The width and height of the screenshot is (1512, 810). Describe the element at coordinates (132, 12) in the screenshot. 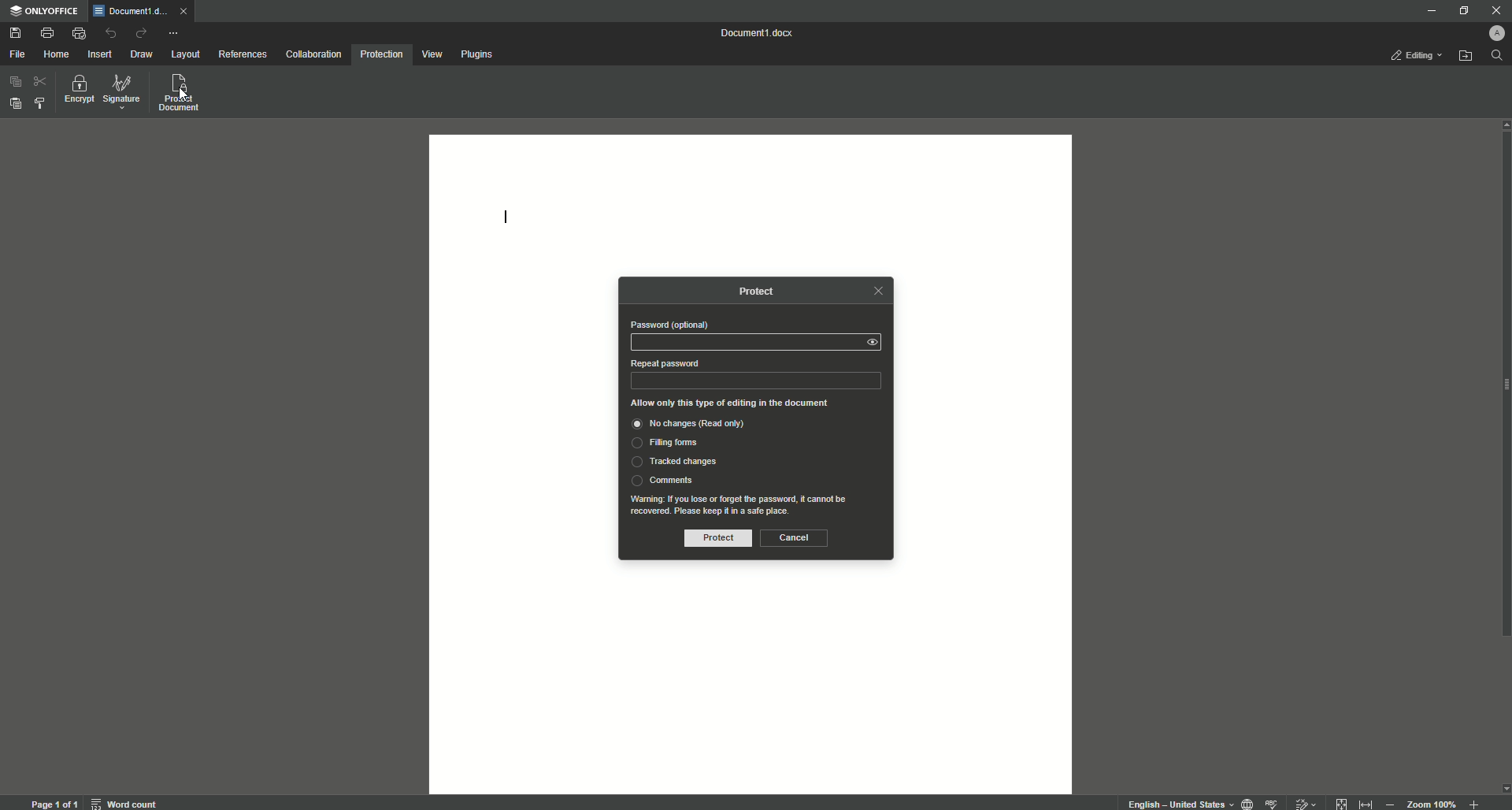

I see `Tab 1` at that location.